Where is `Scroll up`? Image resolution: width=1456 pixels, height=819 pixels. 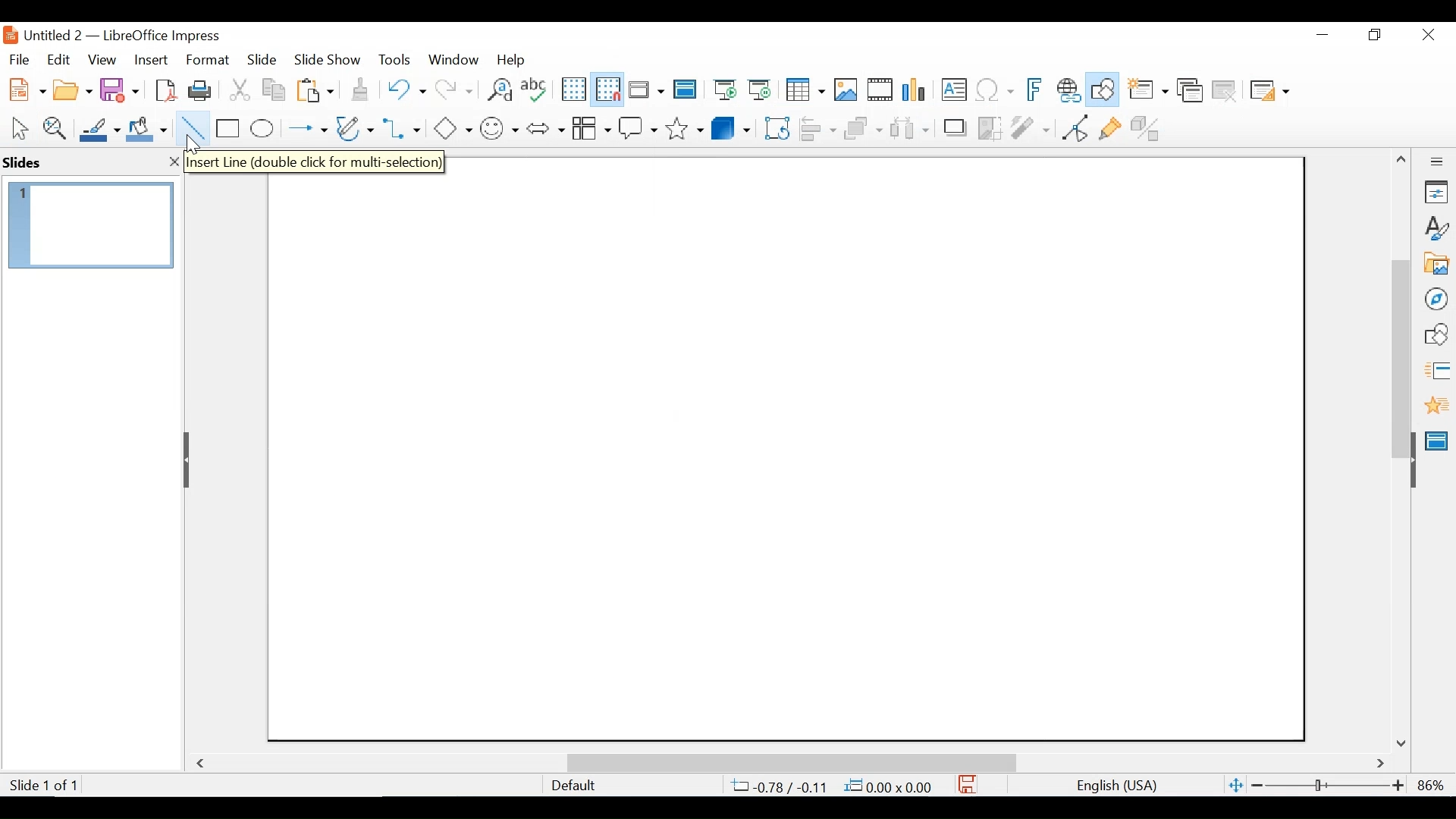
Scroll up is located at coordinates (1402, 159).